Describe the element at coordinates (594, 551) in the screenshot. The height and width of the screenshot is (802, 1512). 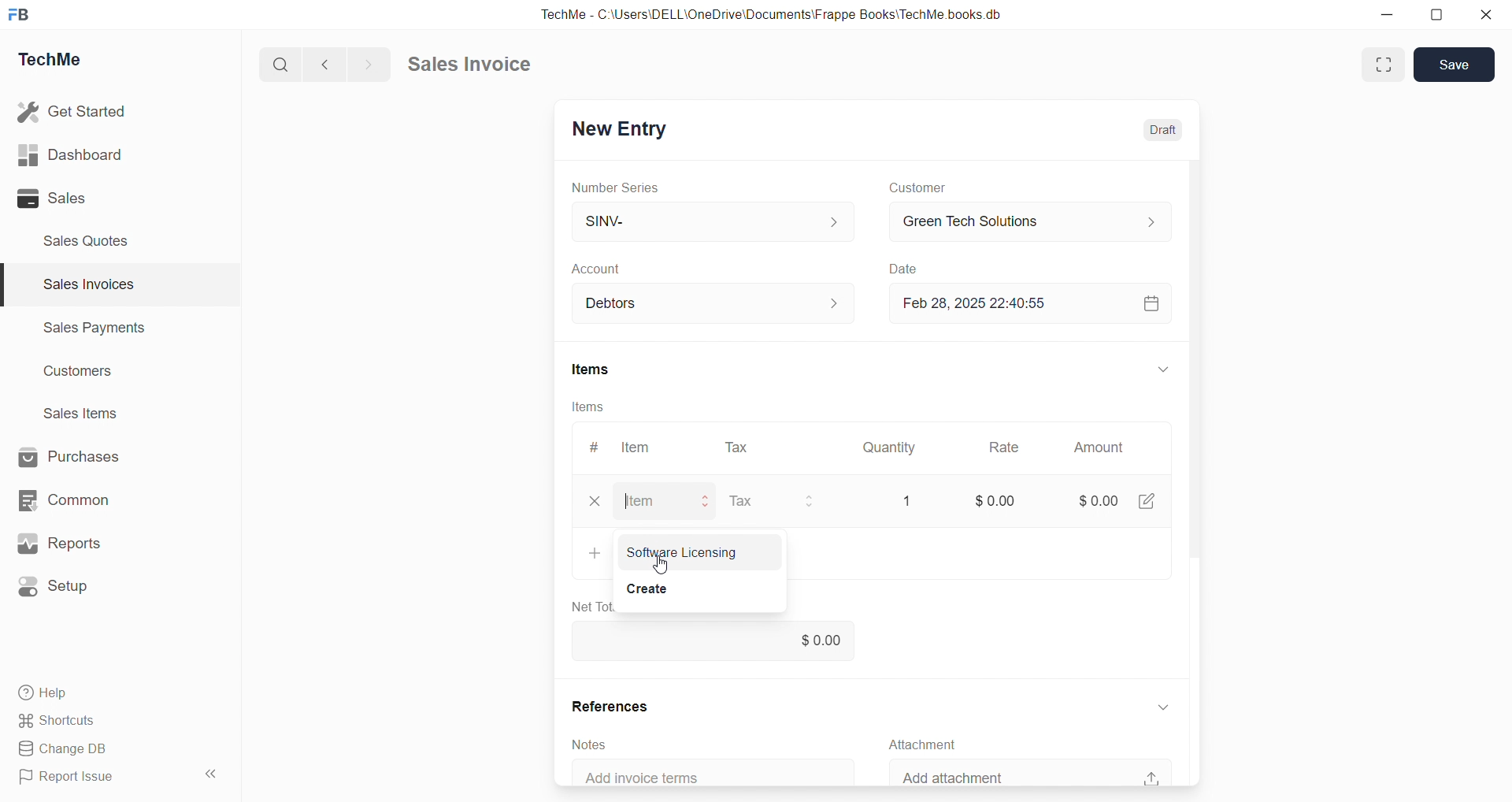
I see `Add row` at that location.